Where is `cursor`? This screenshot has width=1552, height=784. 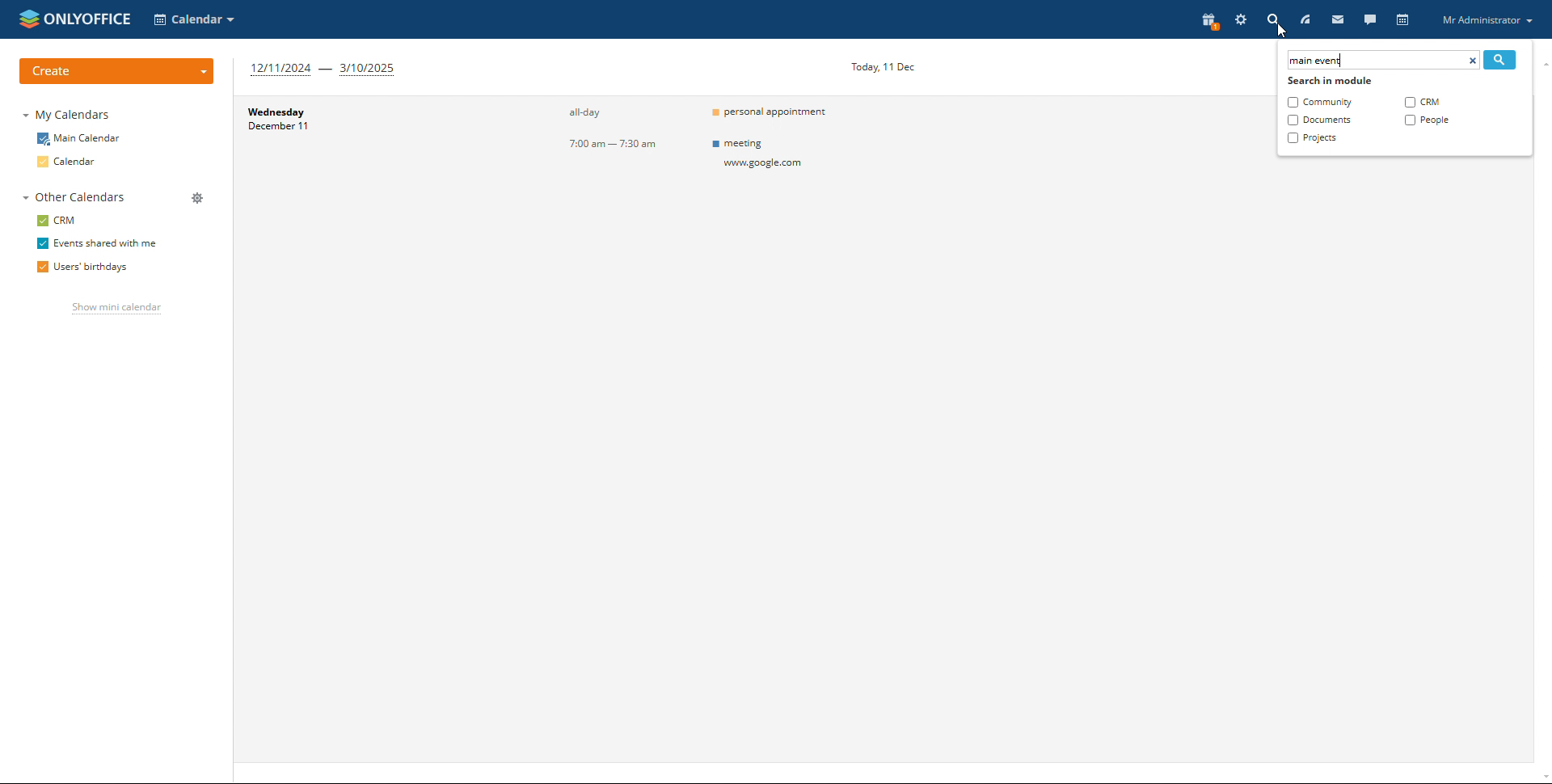 cursor is located at coordinates (1280, 33).